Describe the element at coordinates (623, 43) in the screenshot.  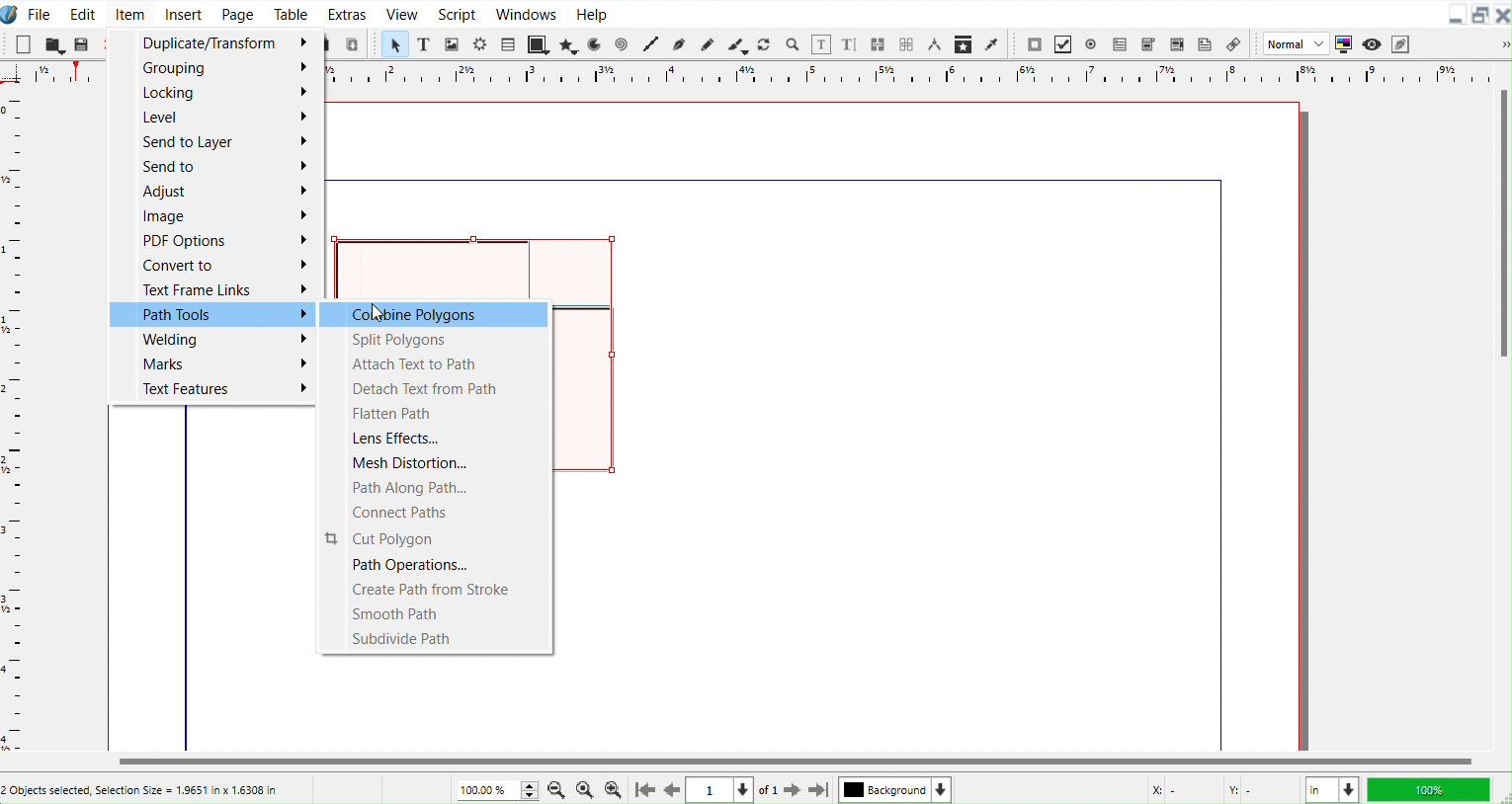
I see `Spiral` at that location.